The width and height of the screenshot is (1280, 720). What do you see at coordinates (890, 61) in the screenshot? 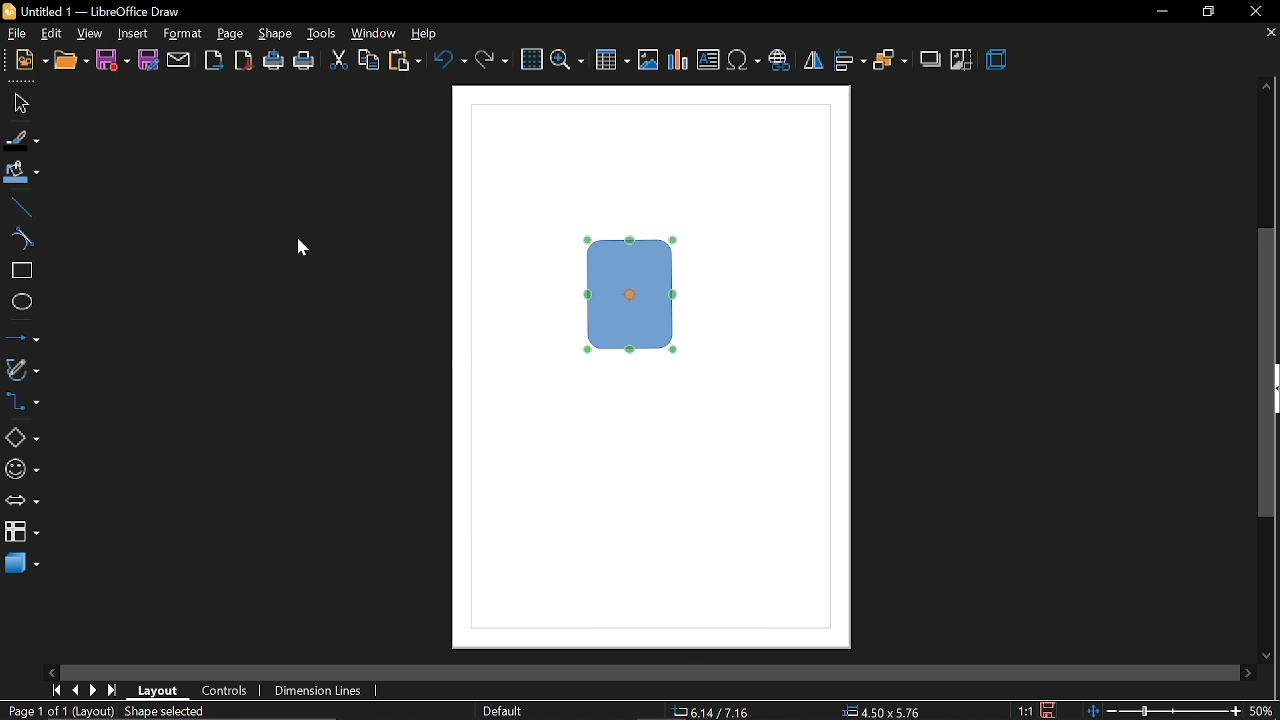
I see `arrange` at bounding box center [890, 61].